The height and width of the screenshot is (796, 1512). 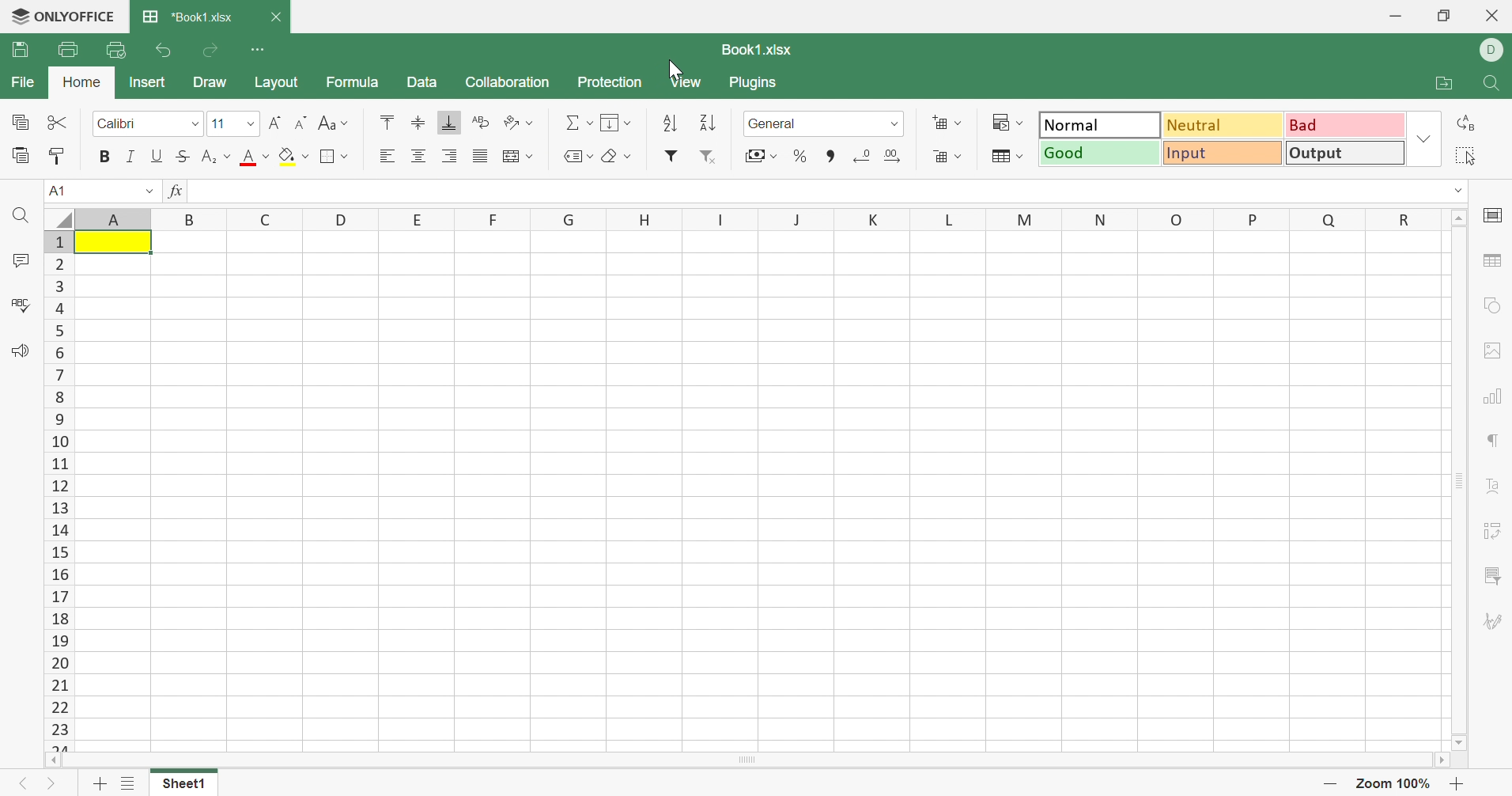 What do you see at coordinates (212, 48) in the screenshot?
I see `Redo` at bounding box center [212, 48].